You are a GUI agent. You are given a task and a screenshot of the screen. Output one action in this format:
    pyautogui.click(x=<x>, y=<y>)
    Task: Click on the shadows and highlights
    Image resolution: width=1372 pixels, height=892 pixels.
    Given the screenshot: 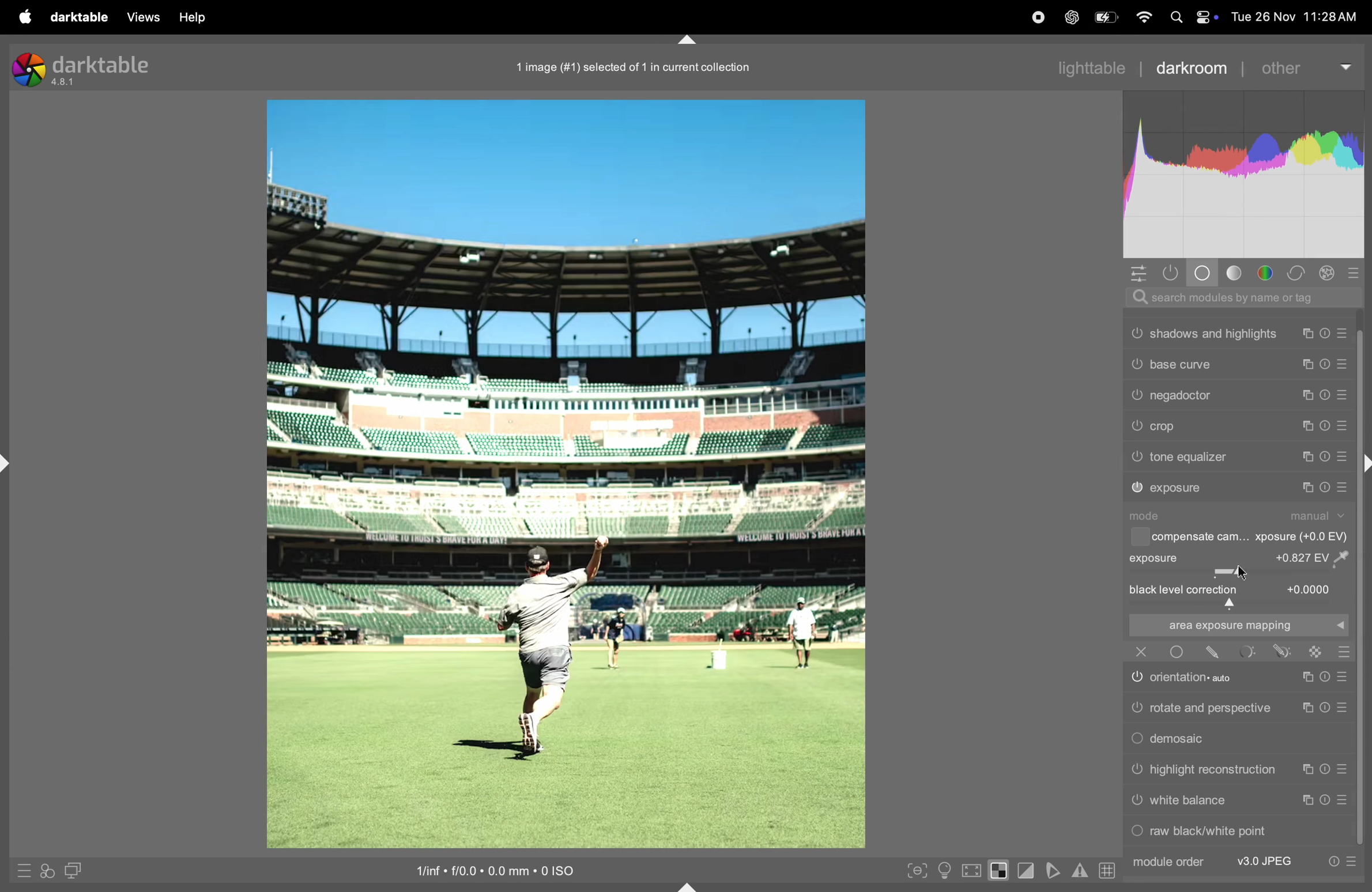 What is the action you would take?
    pyautogui.click(x=1215, y=334)
    